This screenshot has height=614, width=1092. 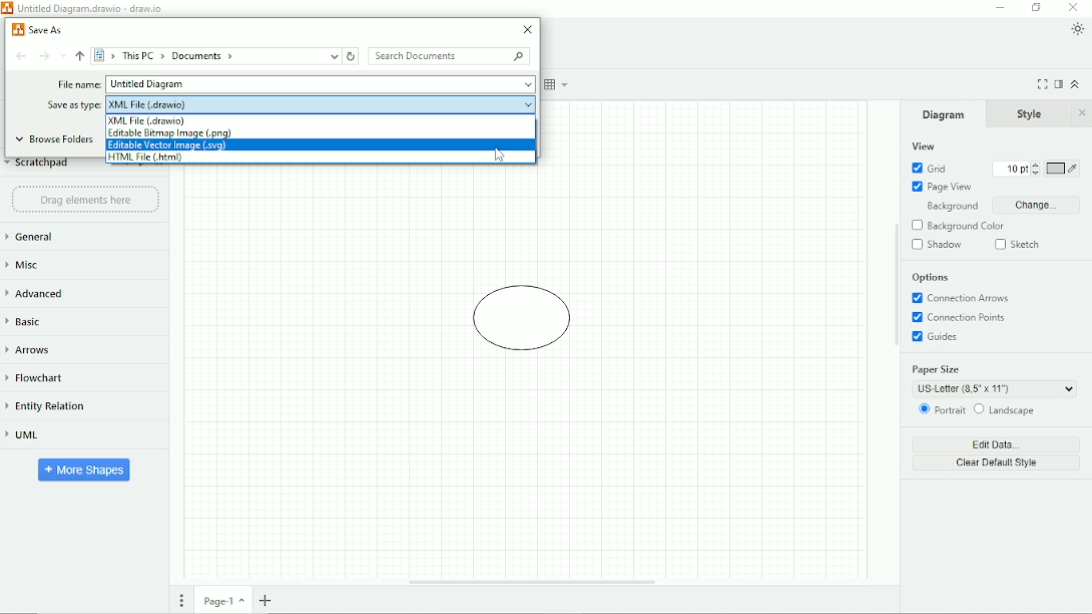 What do you see at coordinates (960, 297) in the screenshot?
I see `Connection Arrows` at bounding box center [960, 297].